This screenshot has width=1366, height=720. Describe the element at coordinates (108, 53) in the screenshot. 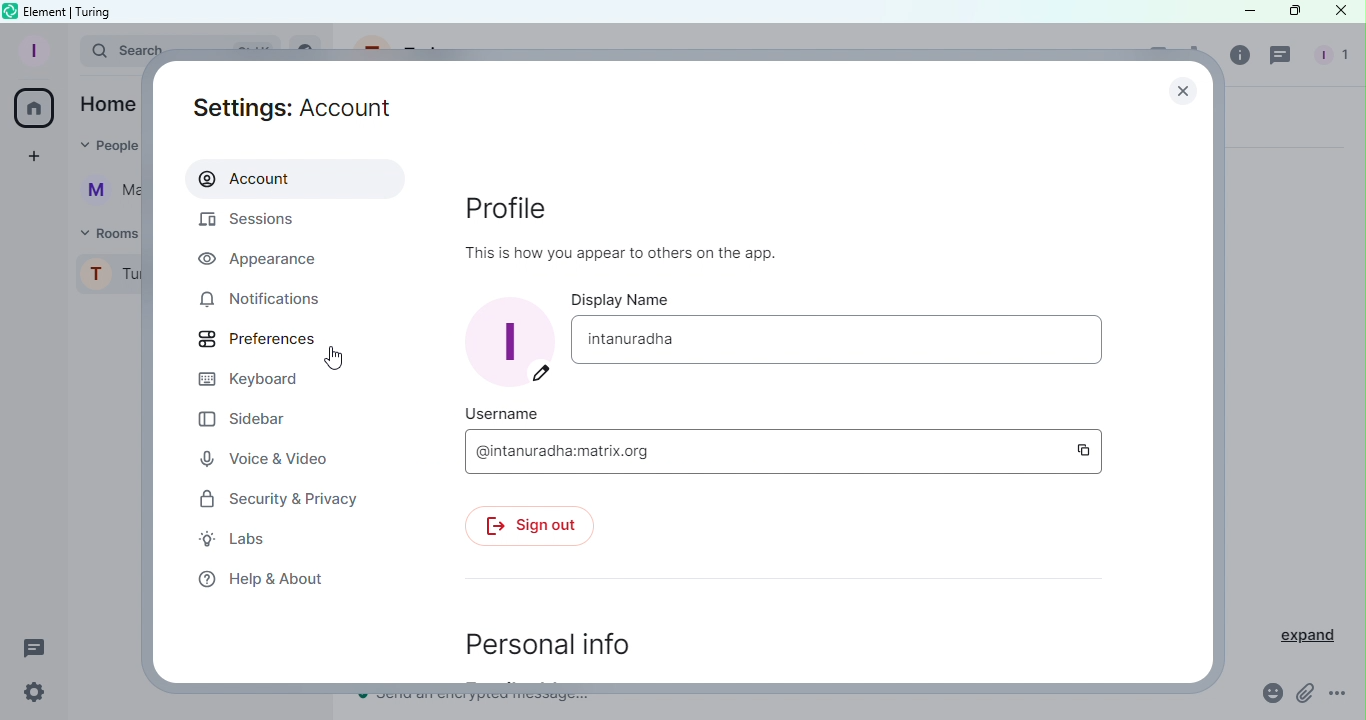

I see `Search` at that location.